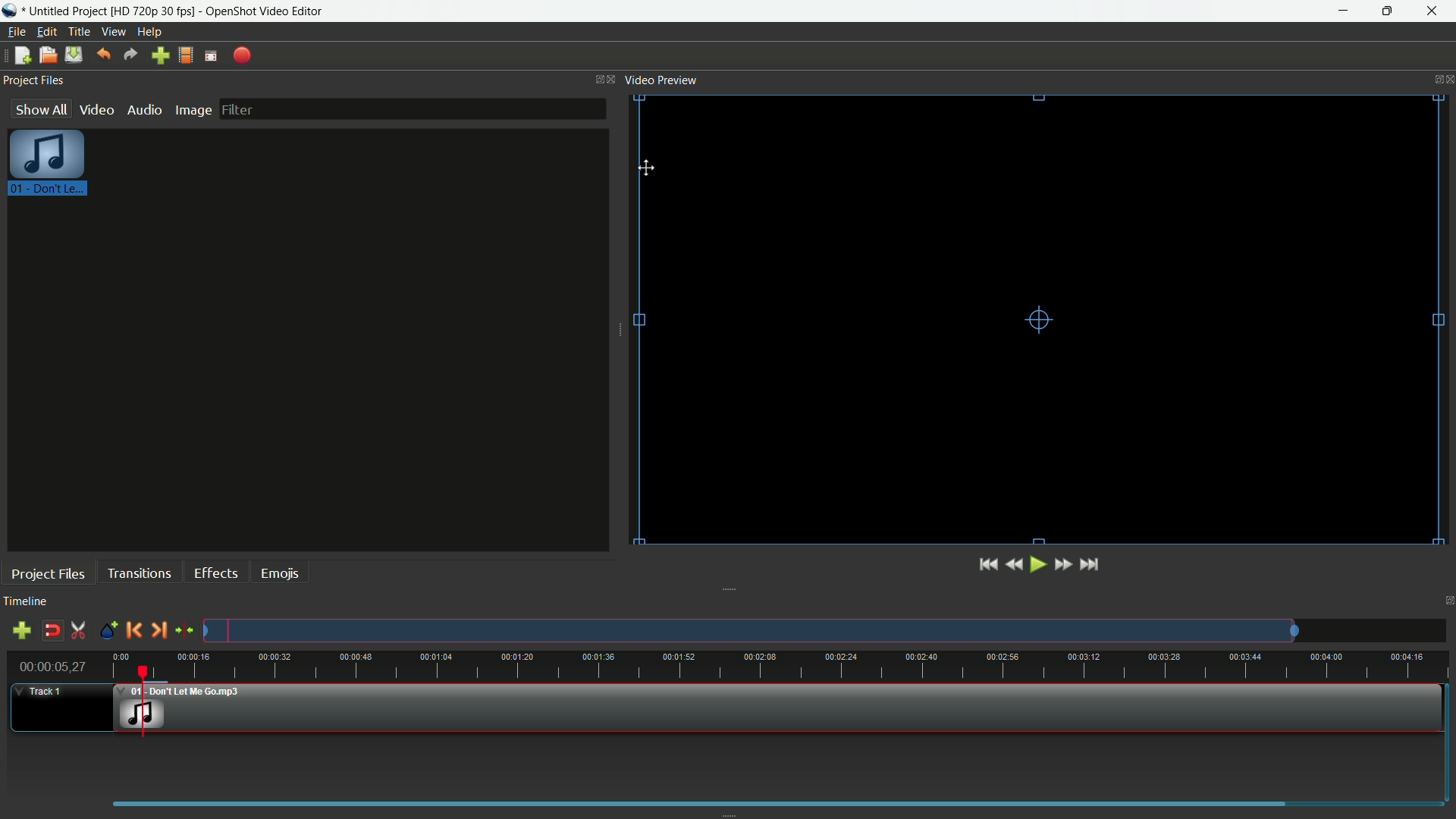 Image resolution: width=1456 pixels, height=819 pixels. Describe the element at coordinates (106, 631) in the screenshot. I see `create marker` at that location.